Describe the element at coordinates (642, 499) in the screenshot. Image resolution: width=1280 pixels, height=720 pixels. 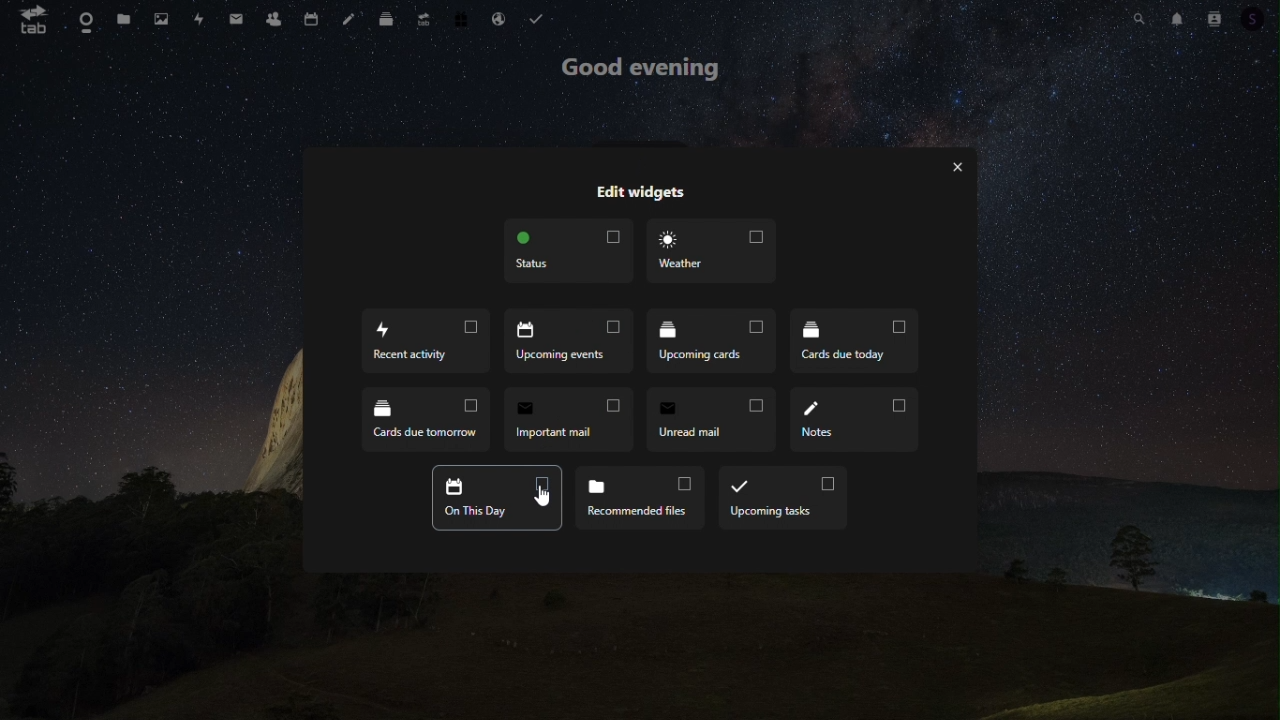
I see `Recommended files` at that location.